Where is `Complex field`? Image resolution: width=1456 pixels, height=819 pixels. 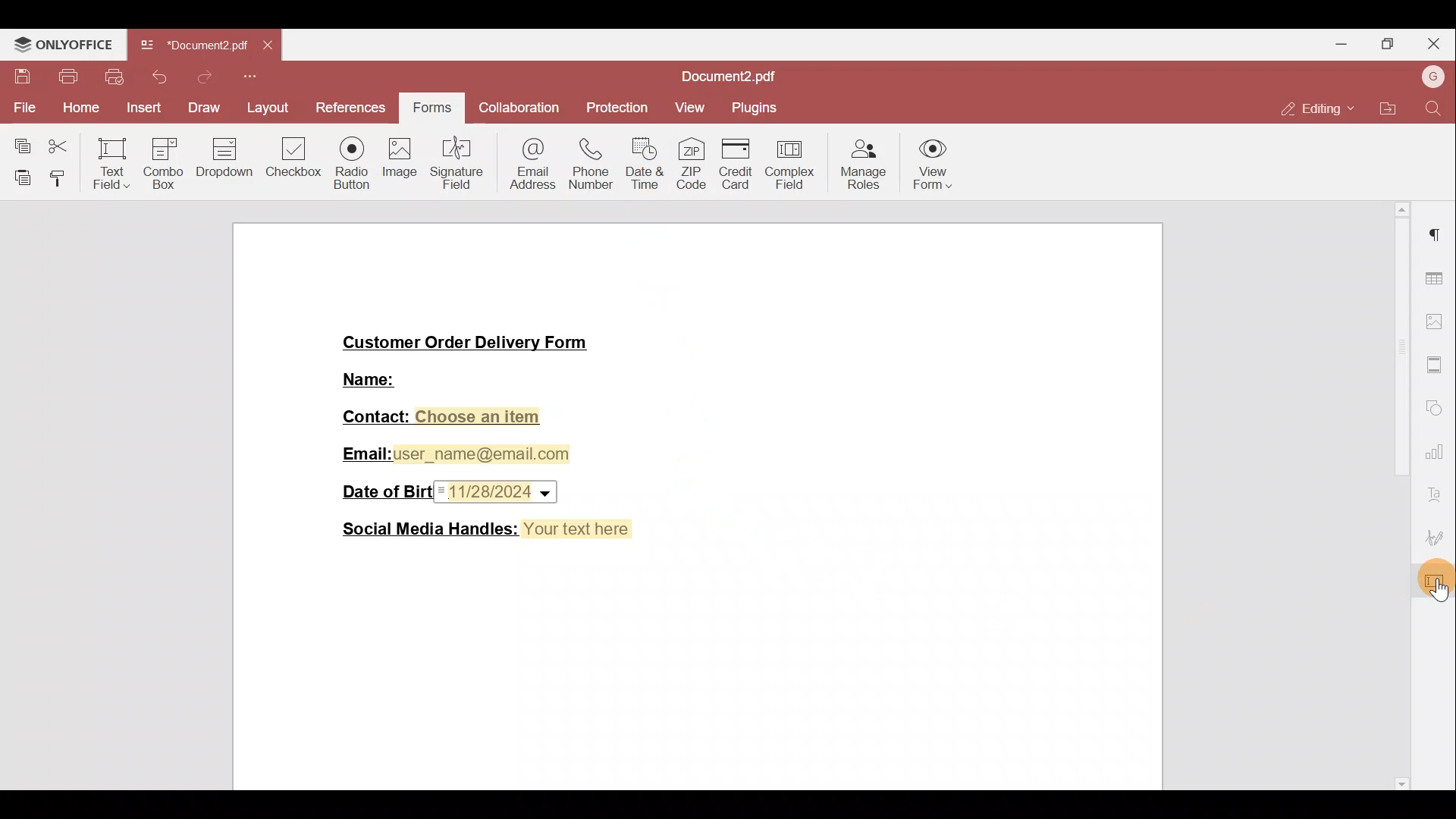
Complex field is located at coordinates (791, 165).